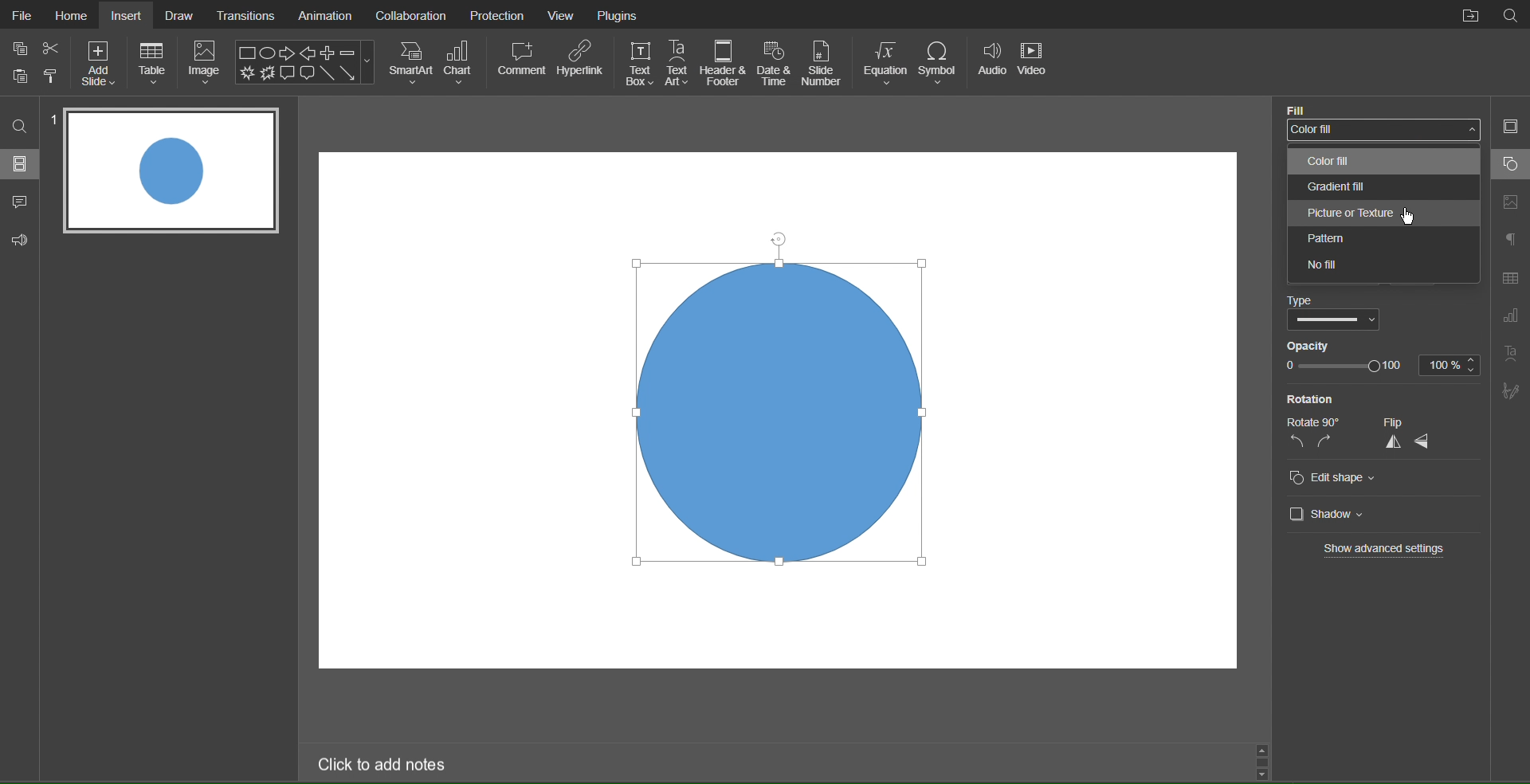 The image size is (1530, 784). What do you see at coordinates (22, 165) in the screenshot?
I see `Slides` at bounding box center [22, 165].